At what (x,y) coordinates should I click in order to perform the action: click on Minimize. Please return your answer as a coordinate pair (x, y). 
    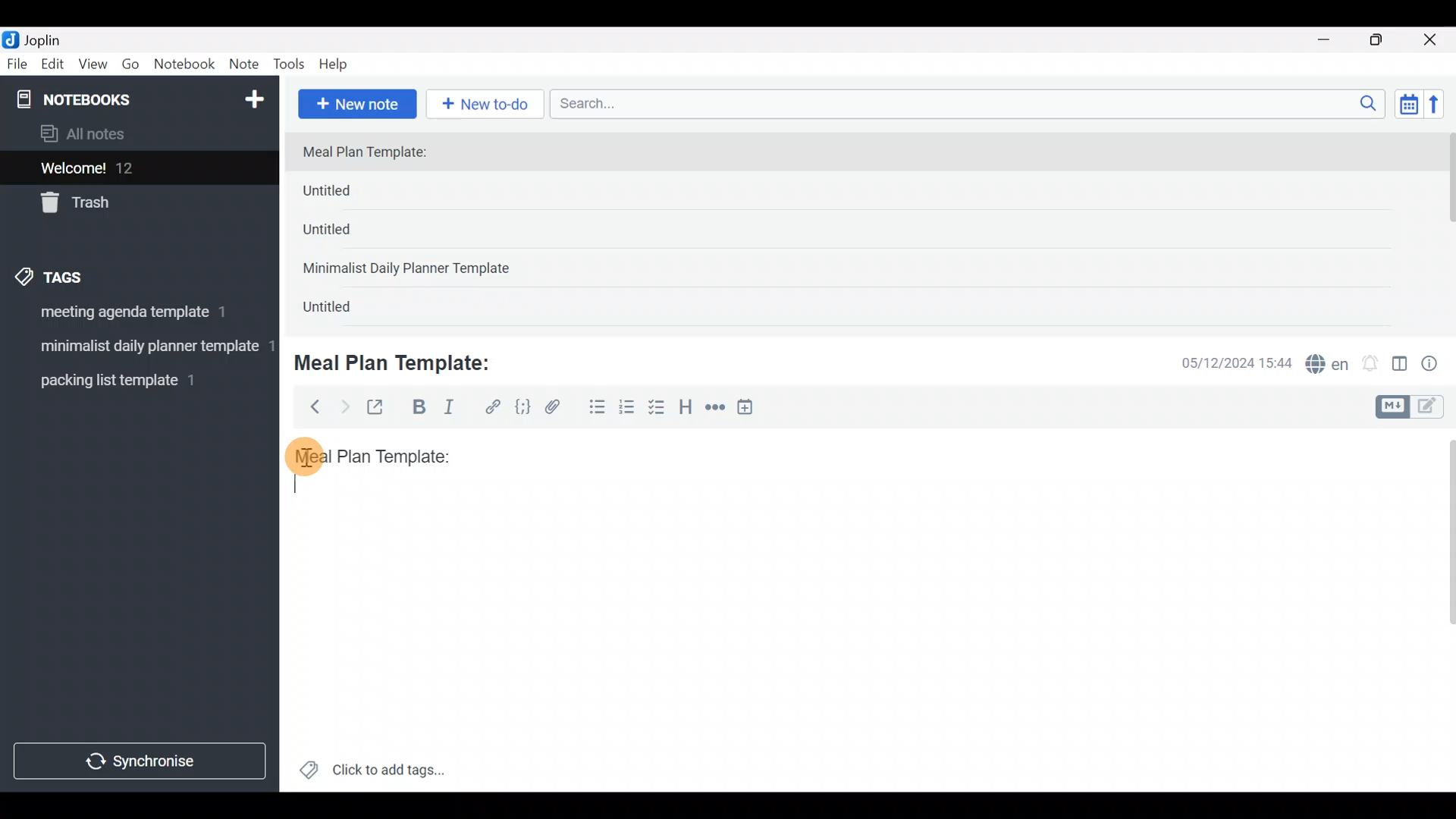
    Looking at the image, I should click on (1332, 38).